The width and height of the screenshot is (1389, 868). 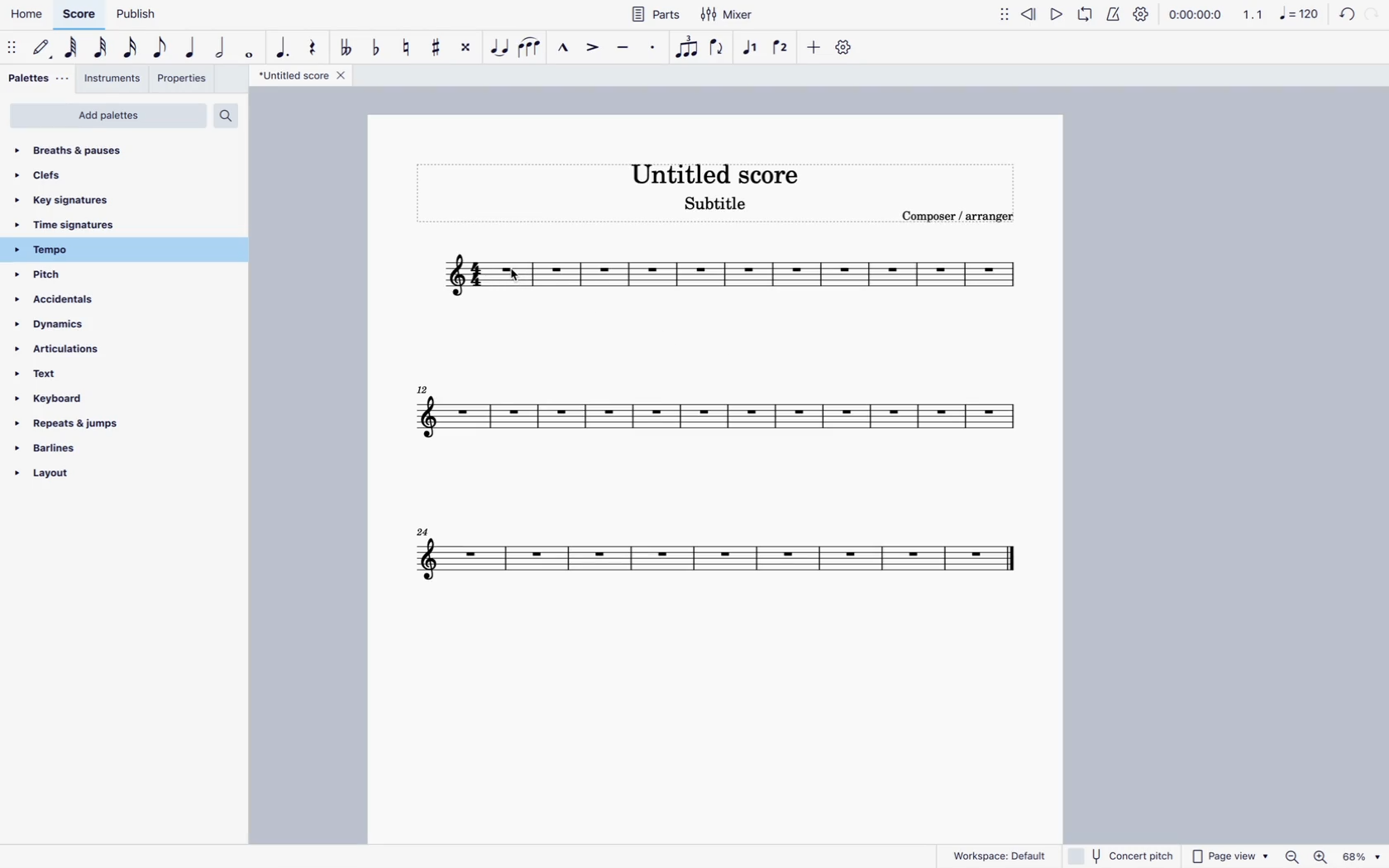 What do you see at coordinates (1121, 856) in the screenshot?
I see `concert pitch` at bounding box center [1121, 856].